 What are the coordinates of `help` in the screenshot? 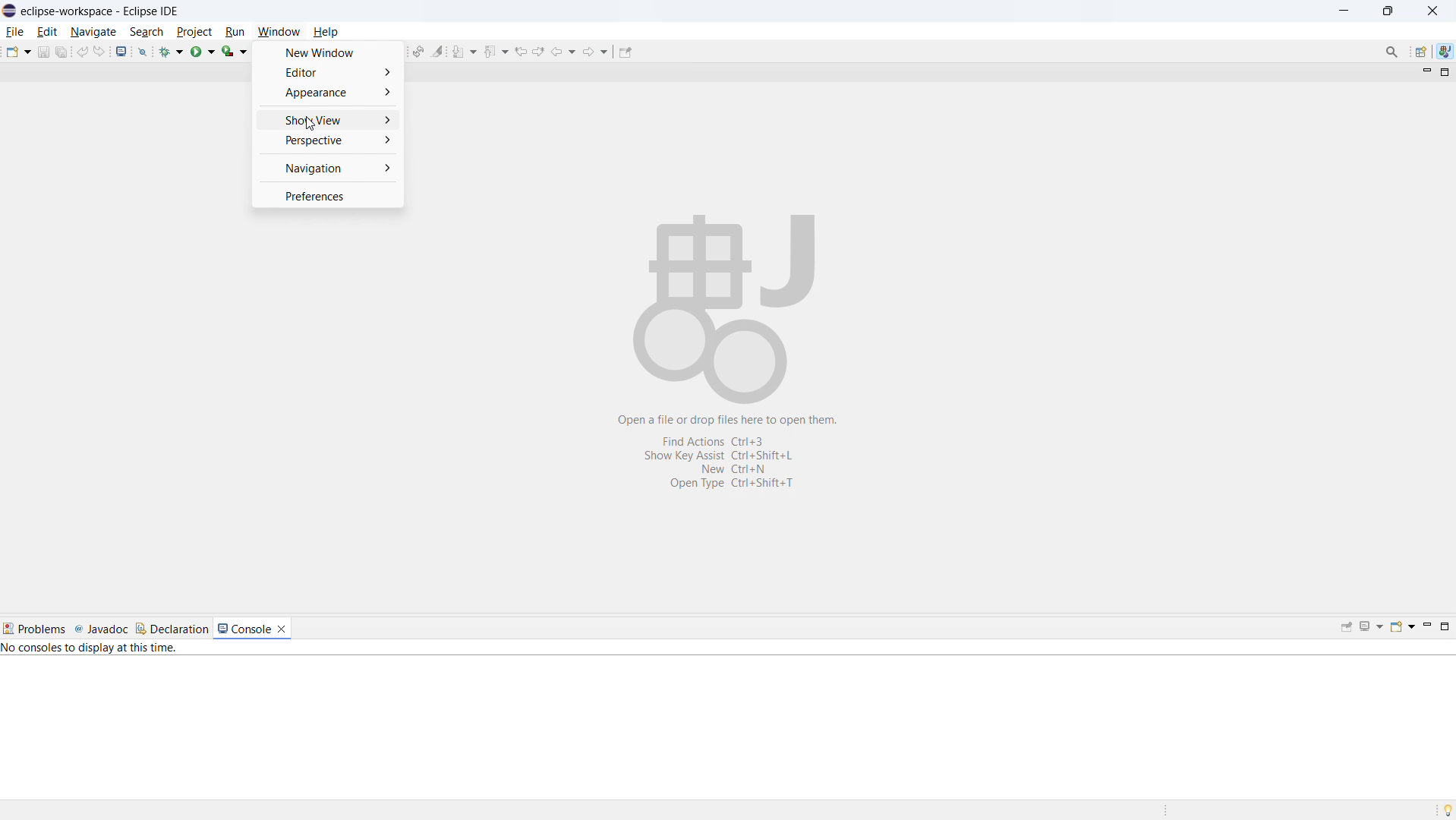 It's located at (325, 32).